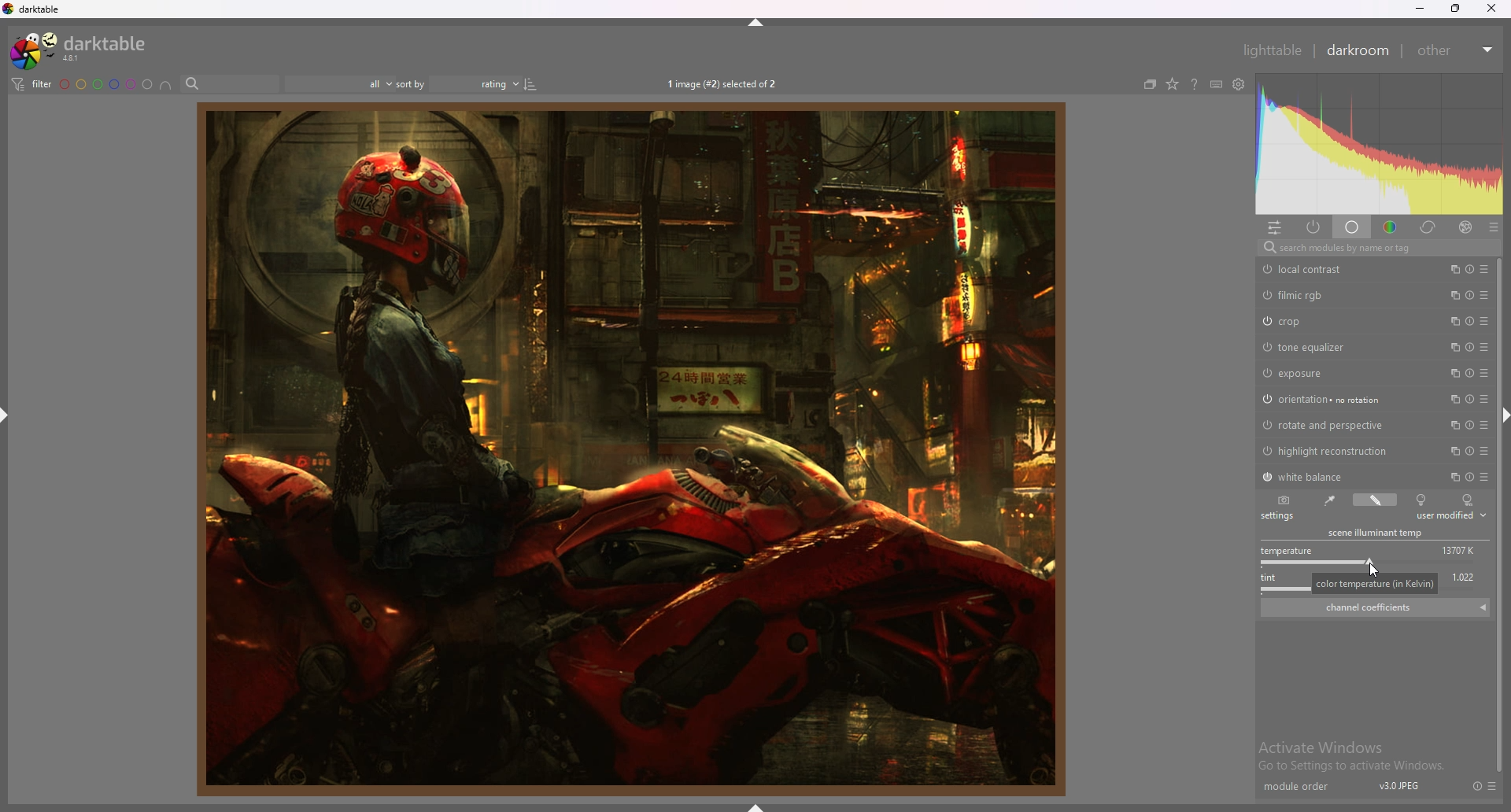  Describe the element at coordinates (1470, 347) in the screenshot. I see `reset` at that location.